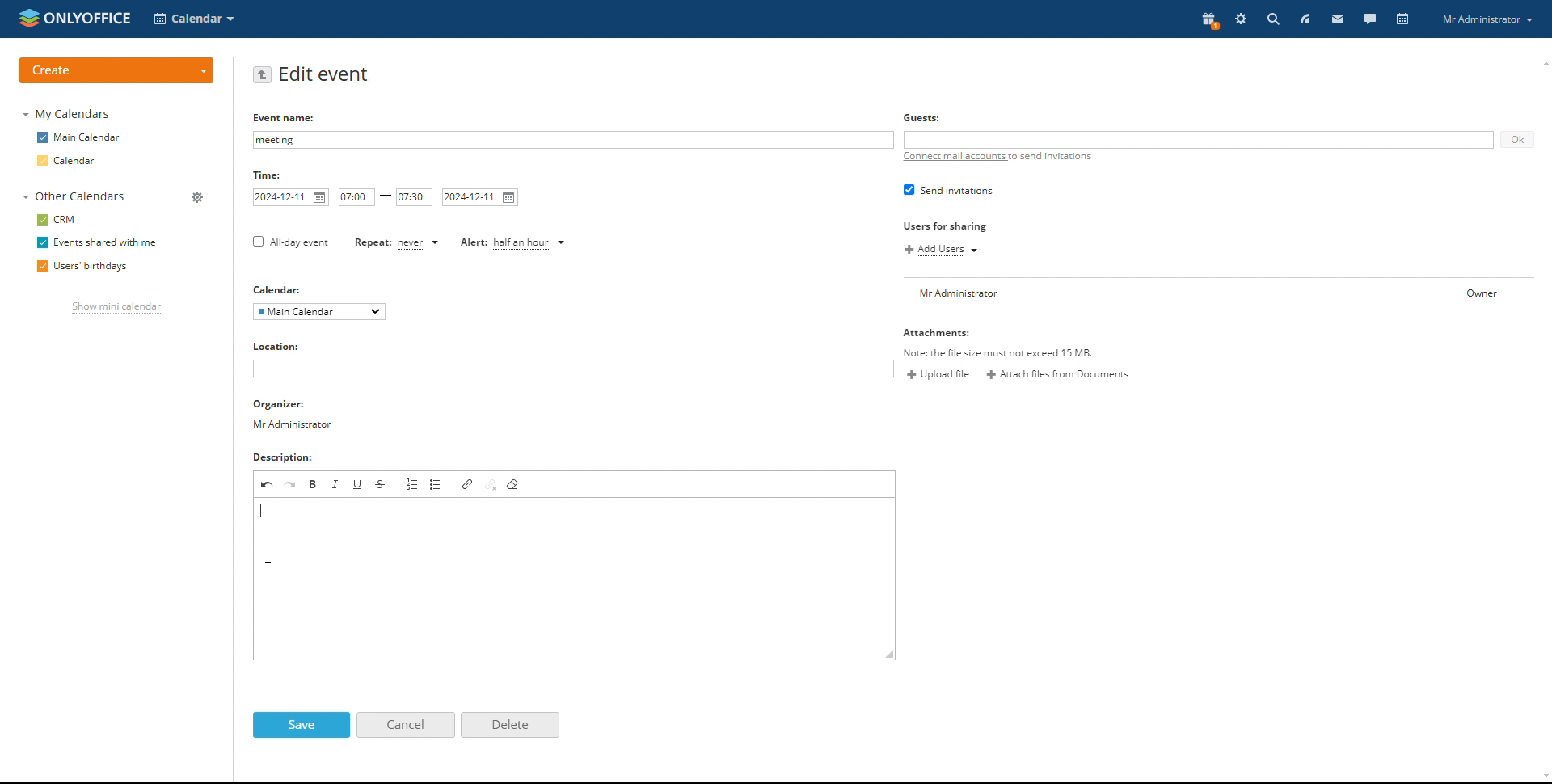 This screenshot has height=784, width=1552. I want to click on calendar, so click(69, 162).